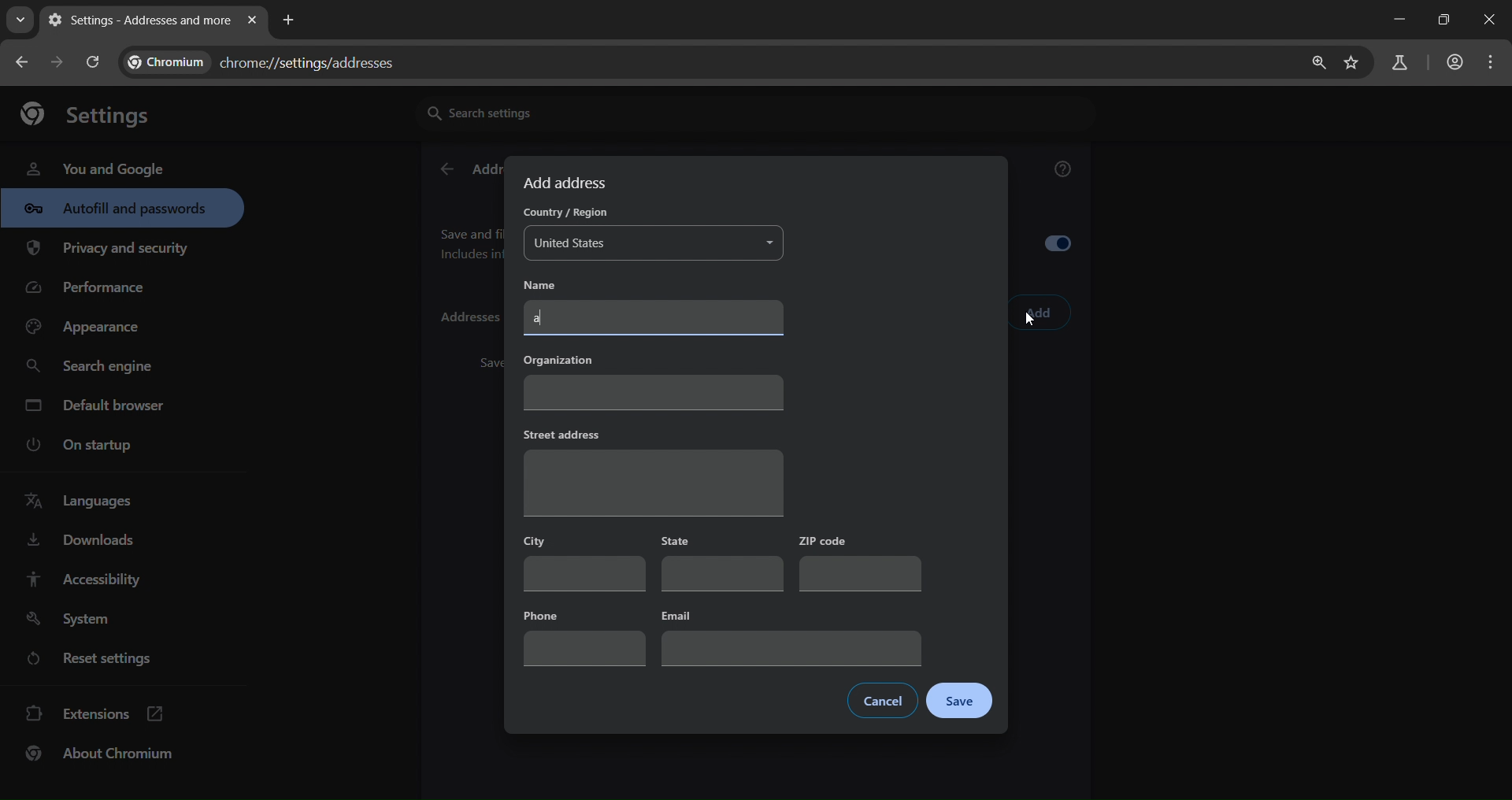  Describe the element at coordinates (82, 579) in the screenshot. I see `accessibility` at that location.